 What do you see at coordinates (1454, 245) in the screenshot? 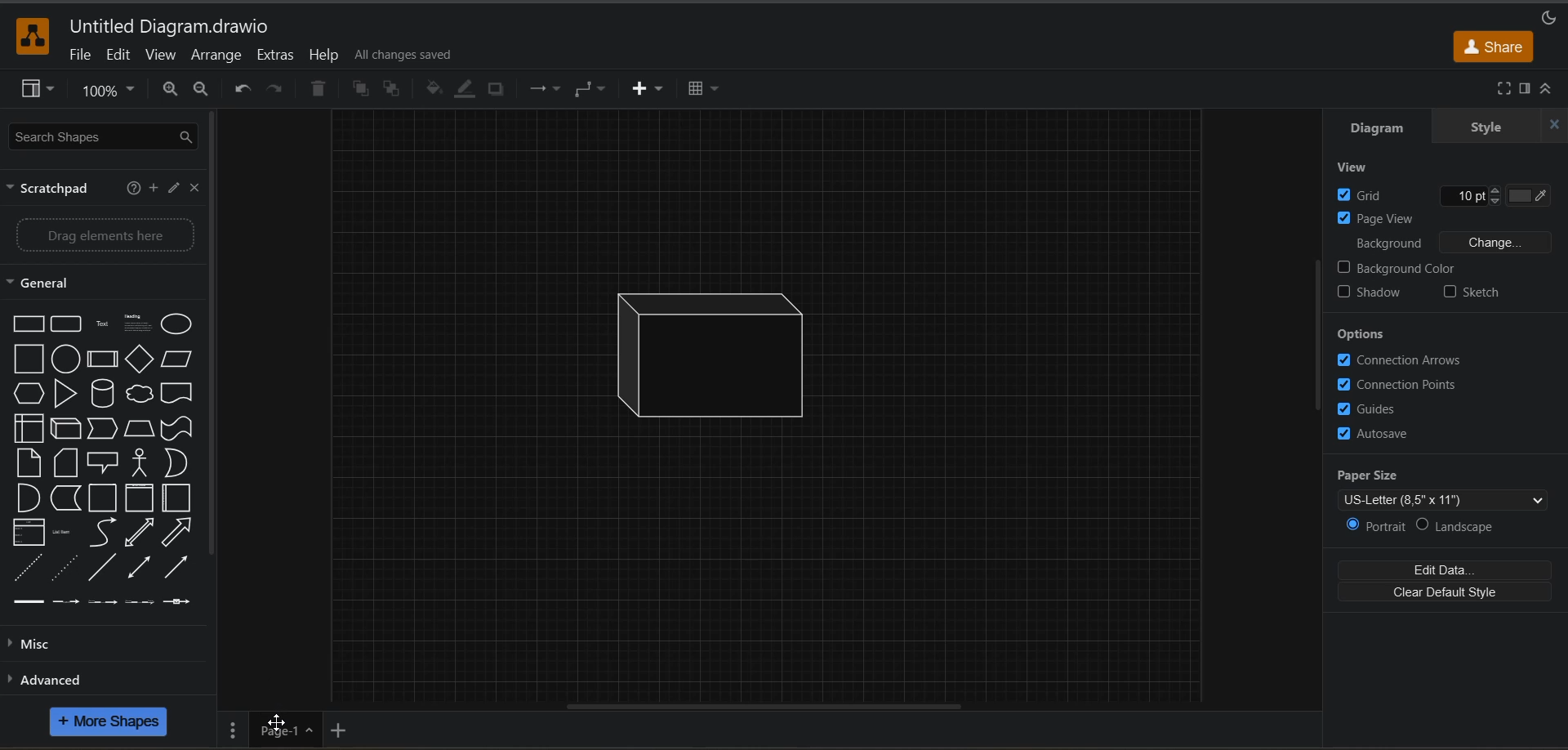
I see `background` at bounding box center [1454, 245].